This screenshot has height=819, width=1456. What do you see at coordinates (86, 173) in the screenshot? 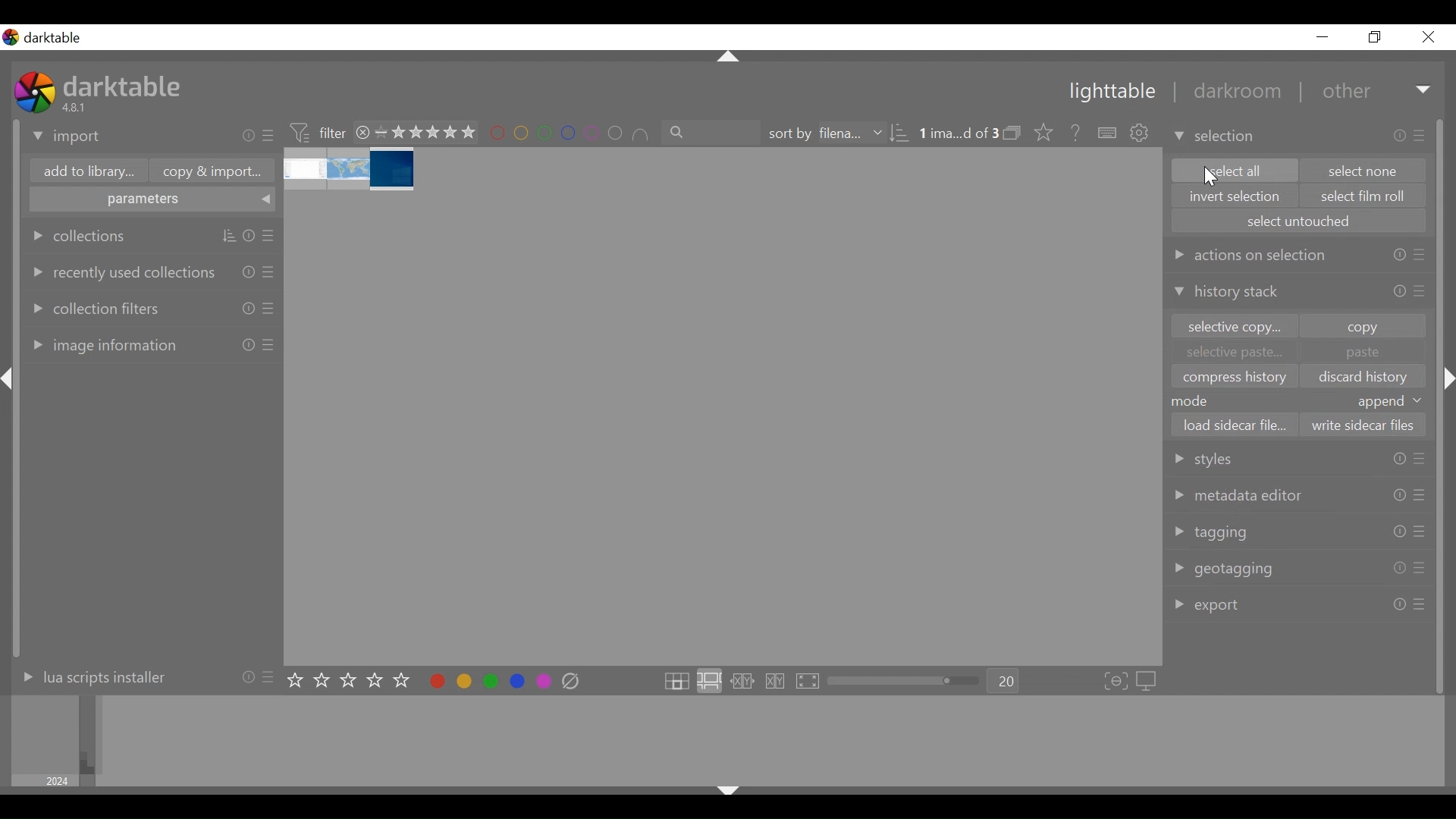
I see `add to library` at bounding box center [86, 173].